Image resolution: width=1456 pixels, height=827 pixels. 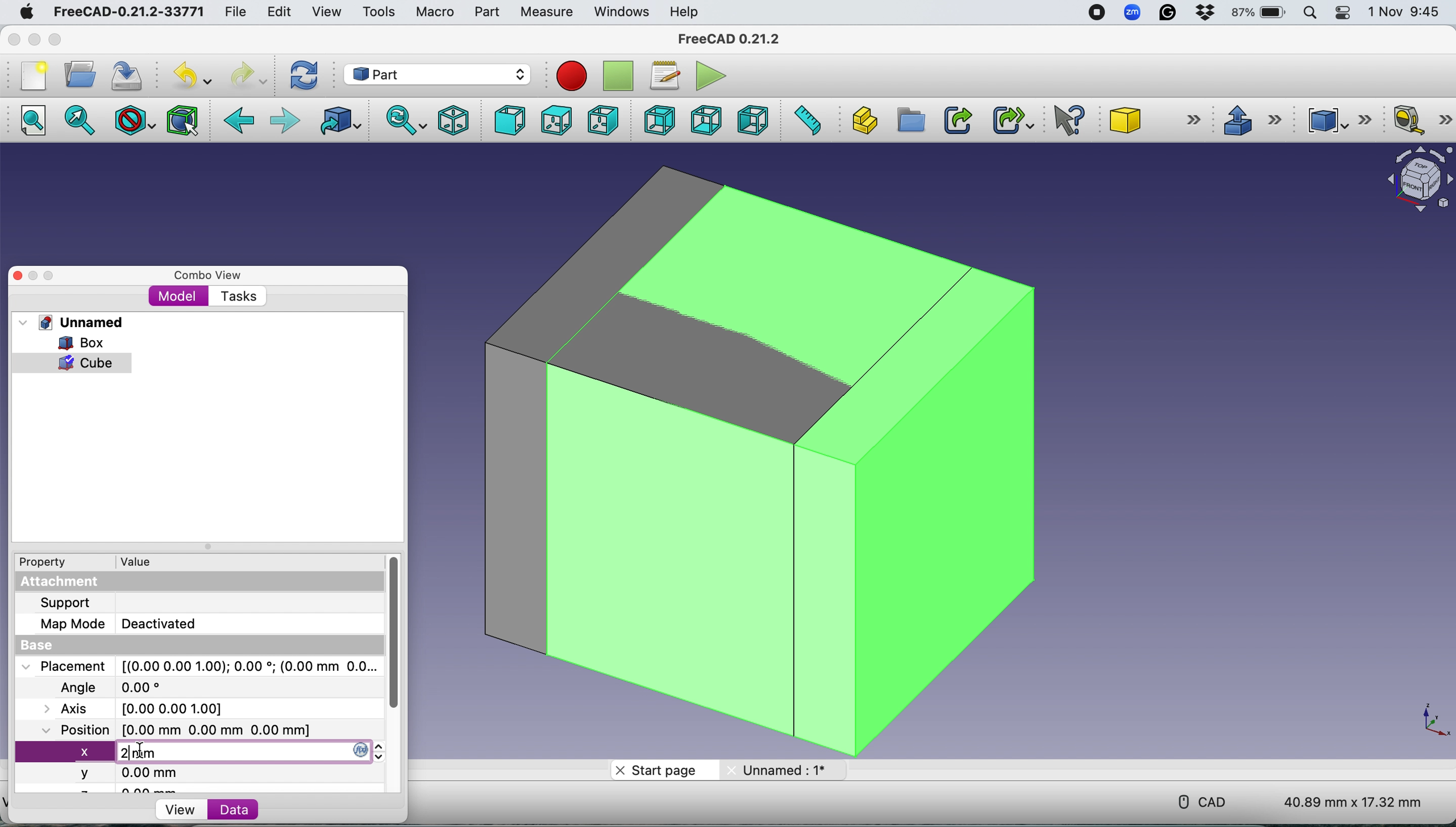 What do you see at coordinates (1206, 14) in the screenshot?
I see `Dropbox` at bounding box center [1206, 14].